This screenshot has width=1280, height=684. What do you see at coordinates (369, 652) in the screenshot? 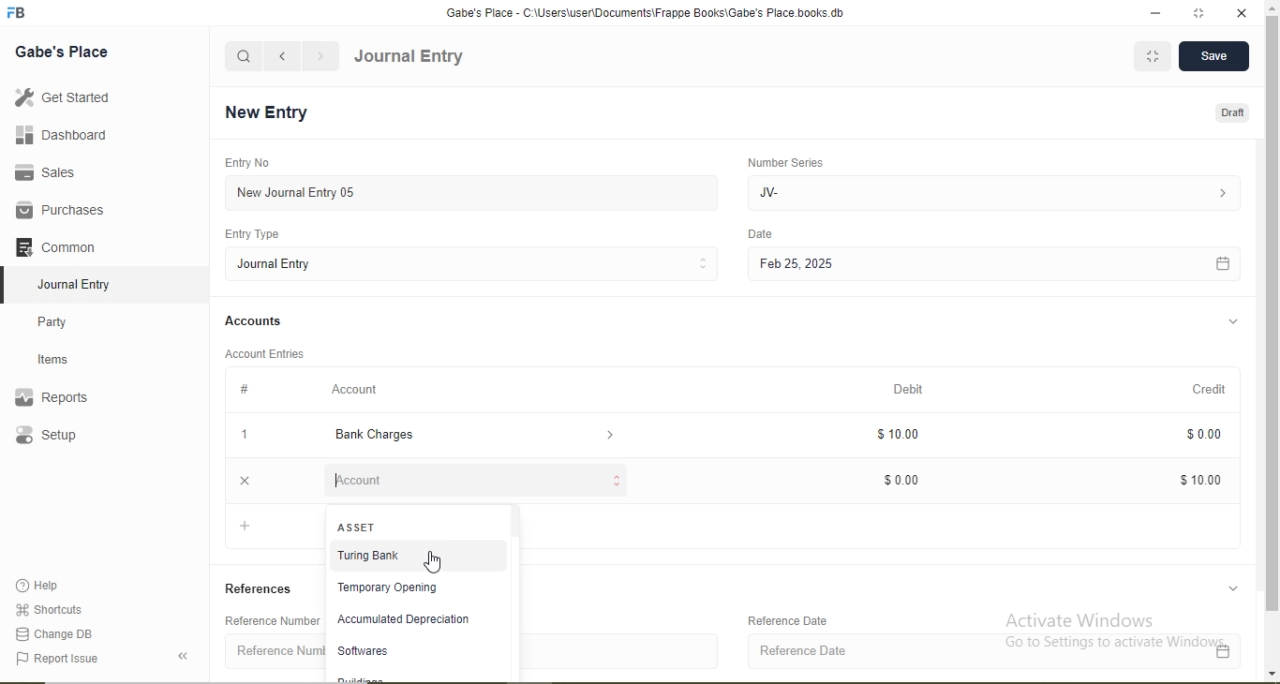
I see `Softwares` at bounding box center [369, 652].